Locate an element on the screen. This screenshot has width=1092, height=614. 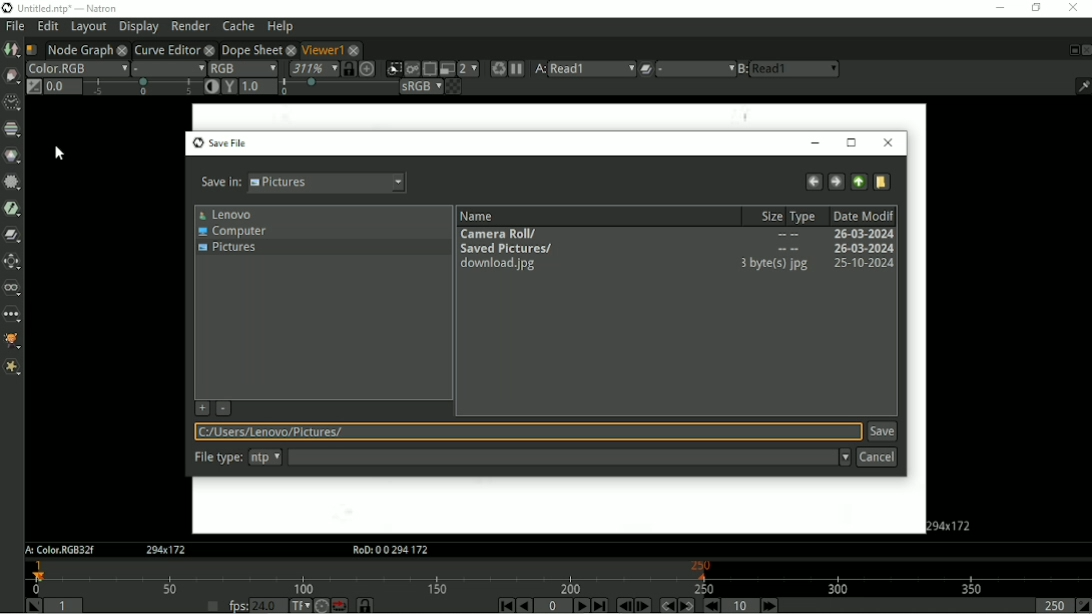
Display channels is located at coordinates (243, 68).